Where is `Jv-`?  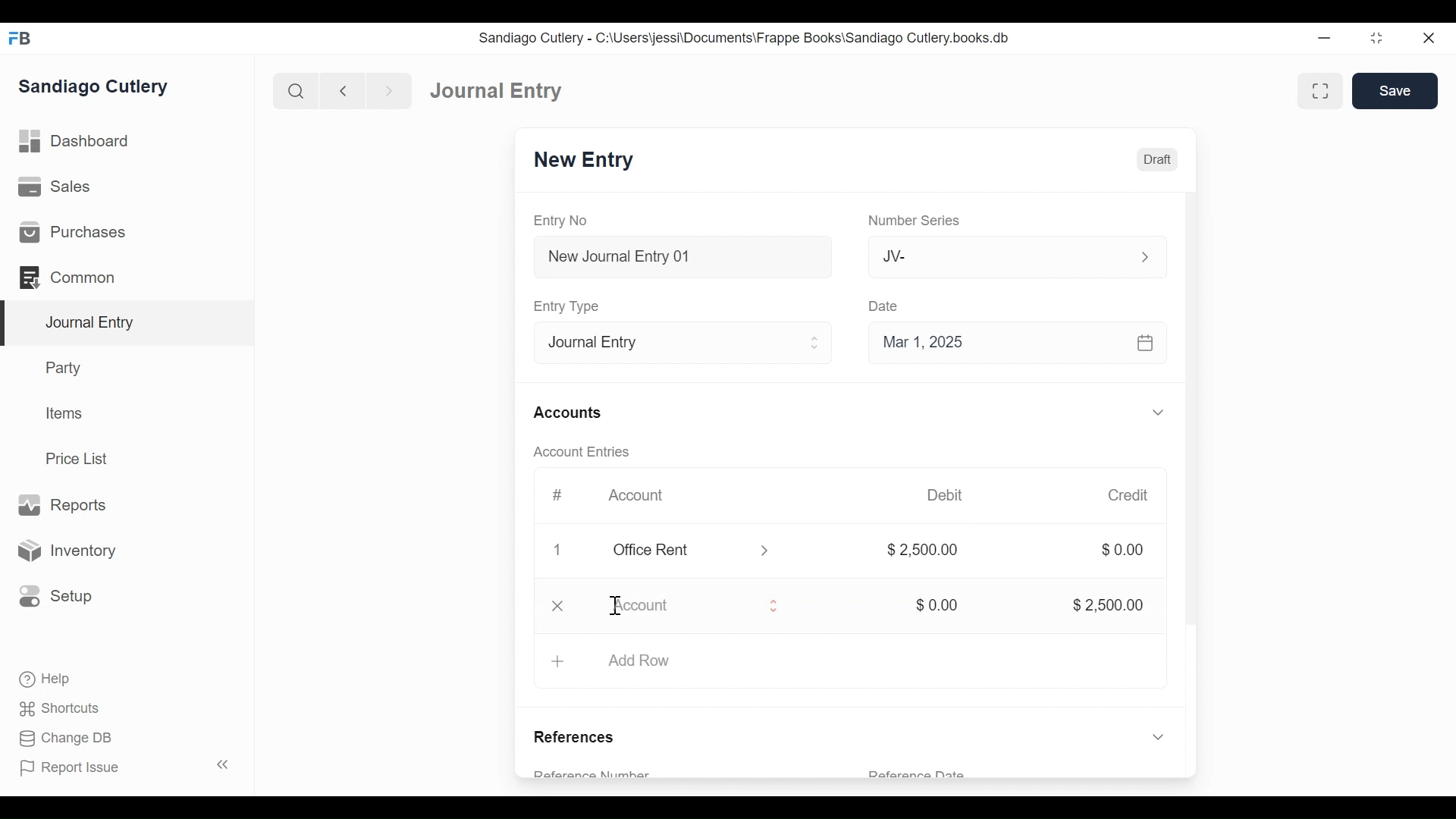
Jv- is located at coordinates (1007, 257).